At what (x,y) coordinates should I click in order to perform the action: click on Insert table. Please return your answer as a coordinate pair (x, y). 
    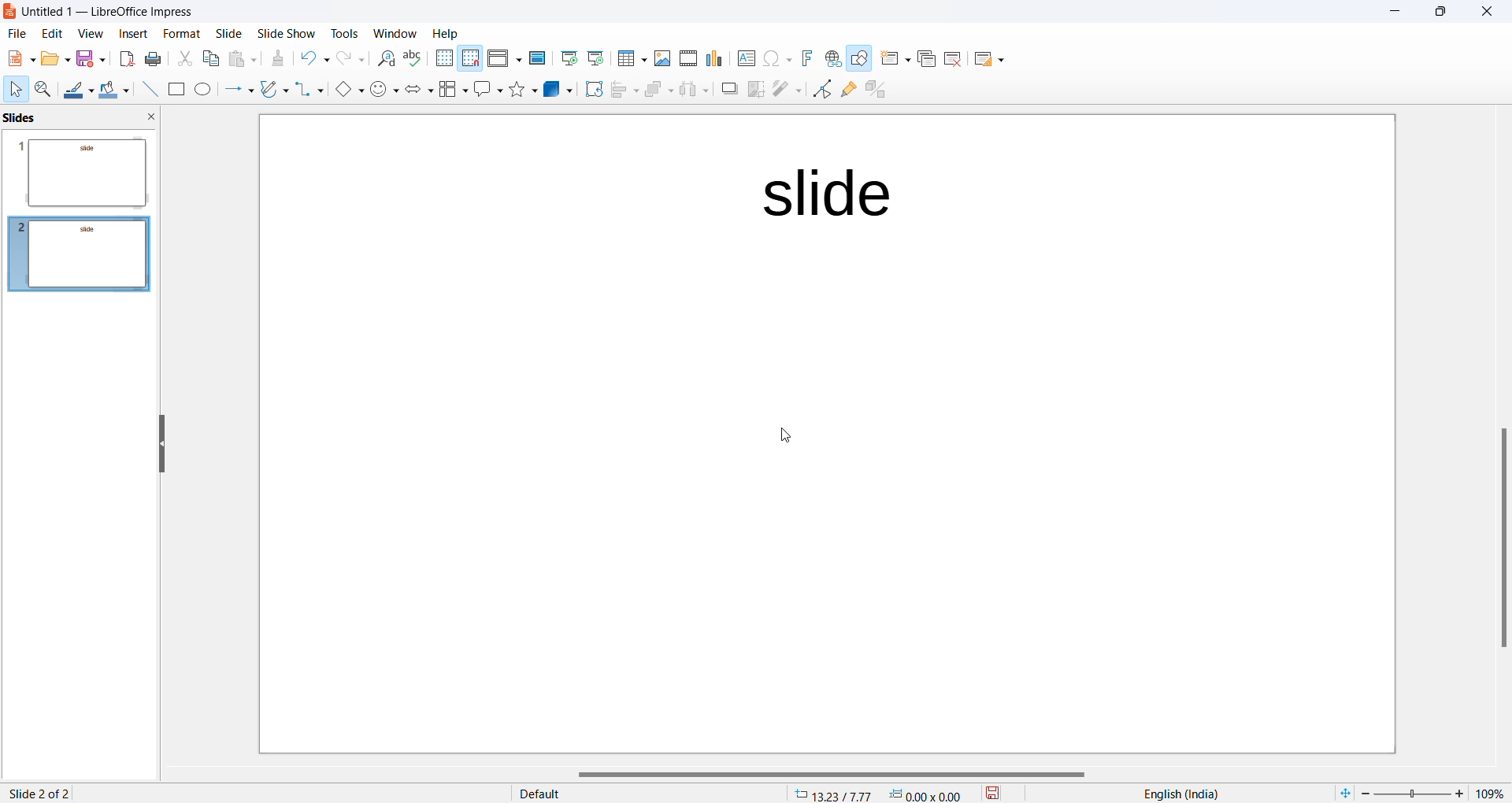
    Looking at the image, I should click on (630, 58).